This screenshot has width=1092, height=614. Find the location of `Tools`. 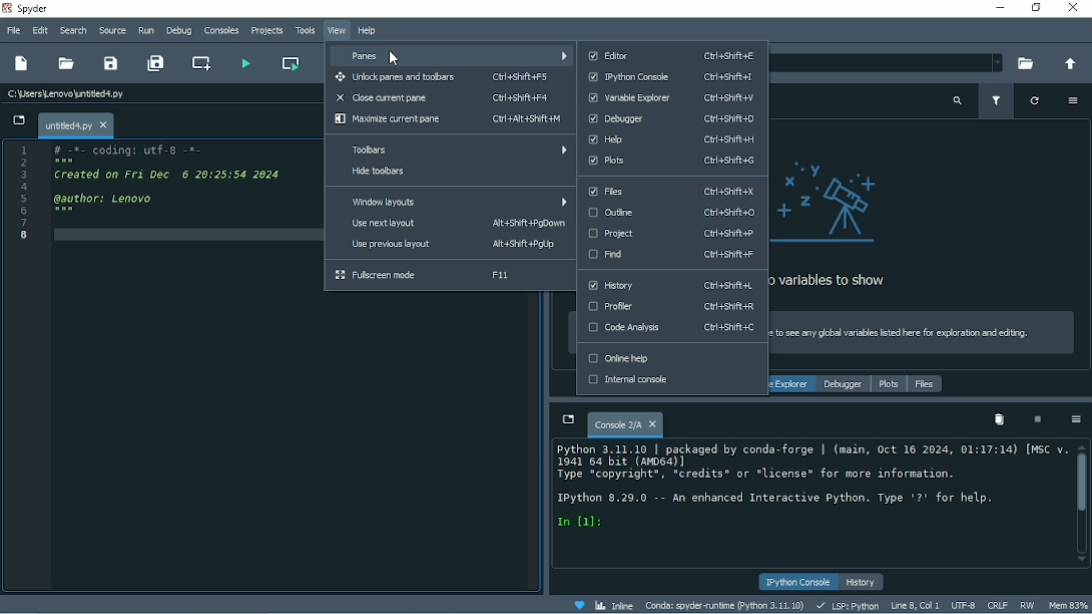

Tools is located at coordinates (305, 30).